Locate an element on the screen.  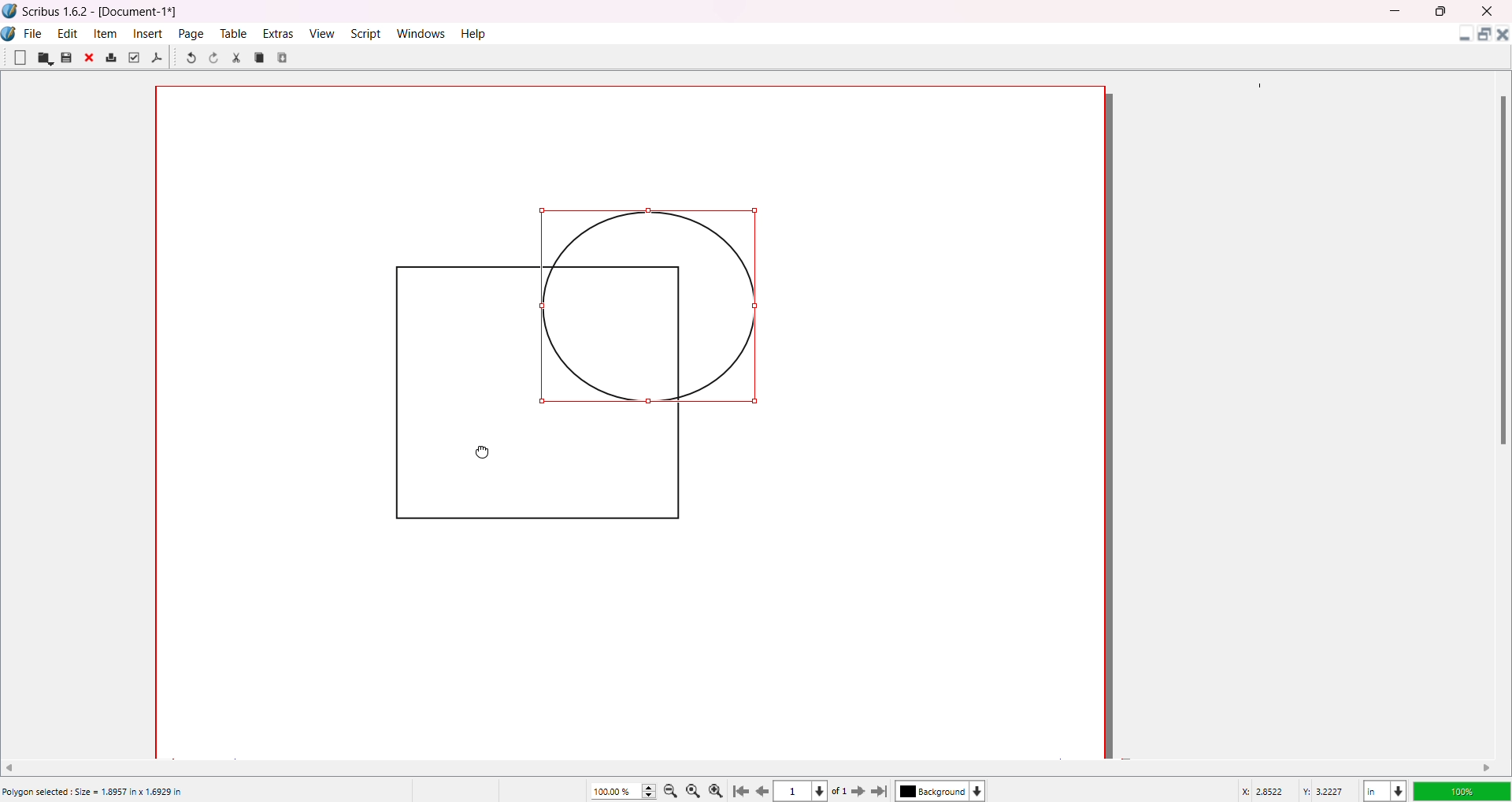
Cut is located at coordinates (236, 58).